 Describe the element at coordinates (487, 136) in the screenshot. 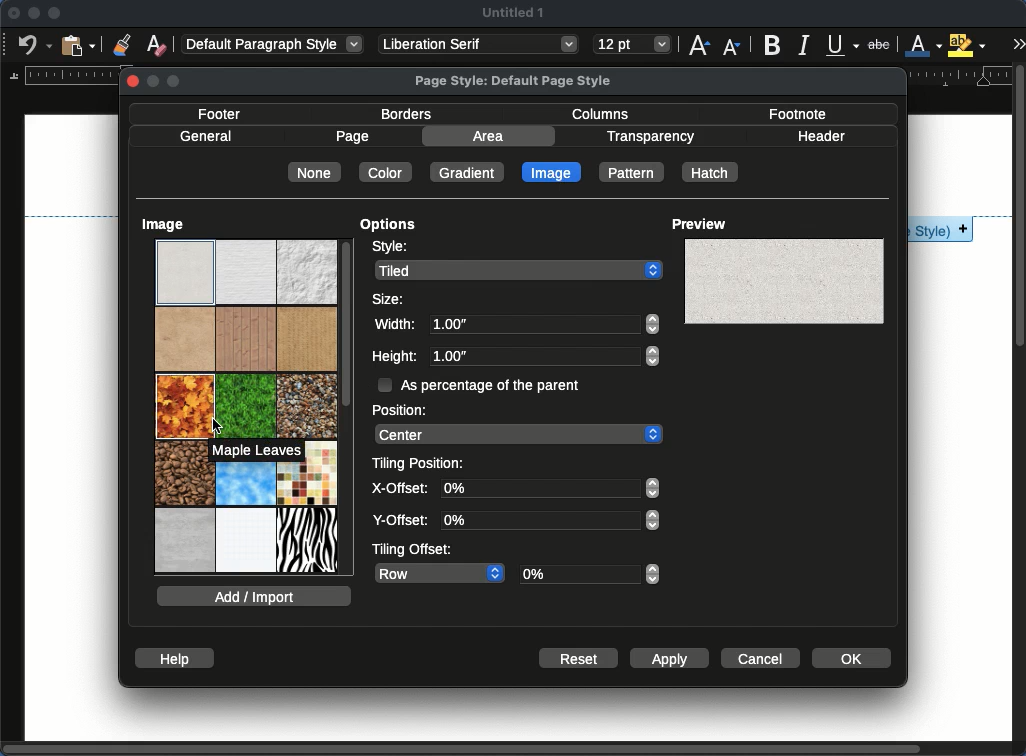

I see `area` at that location.